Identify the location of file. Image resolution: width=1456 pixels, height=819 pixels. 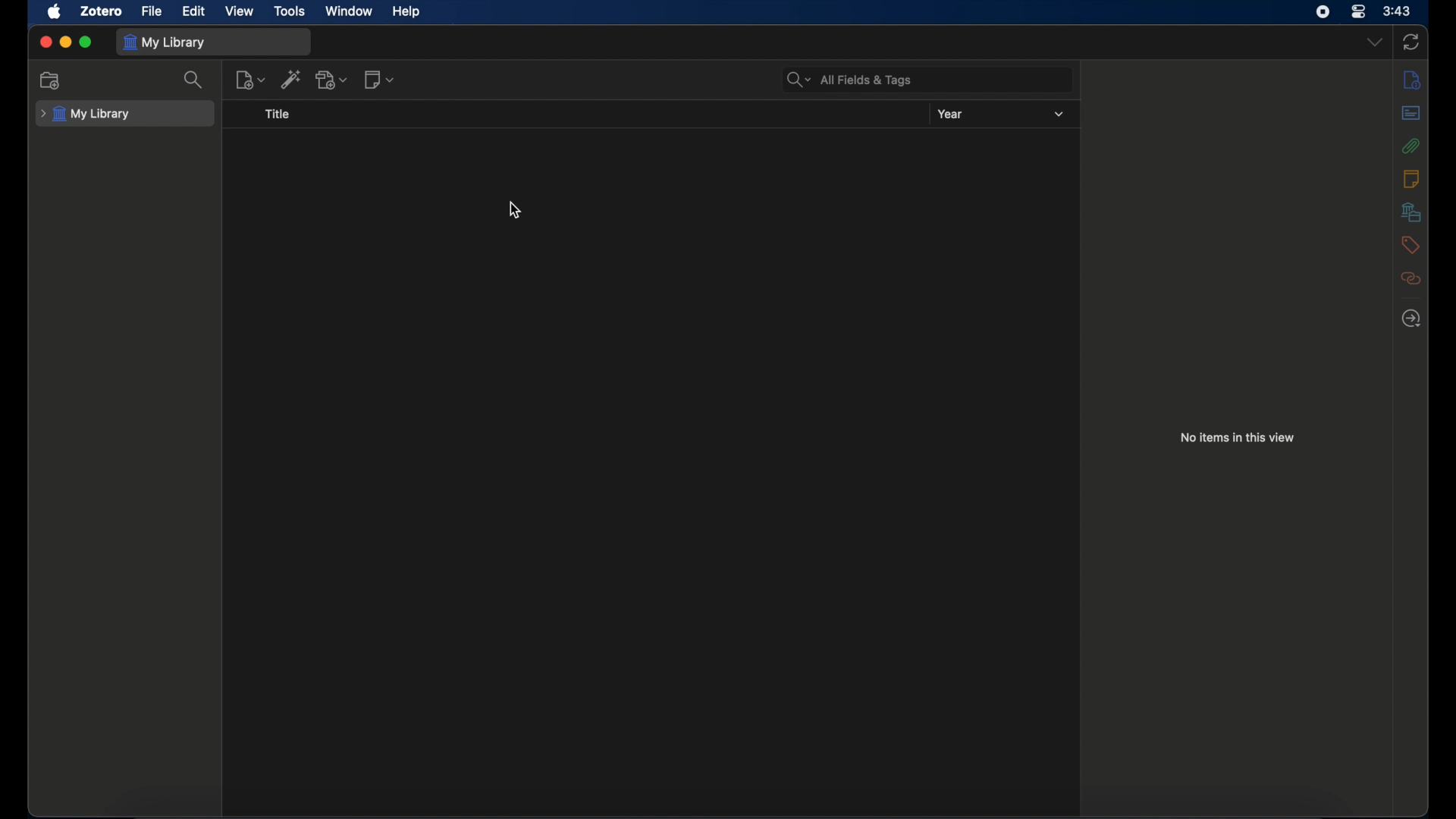
(152, 11).